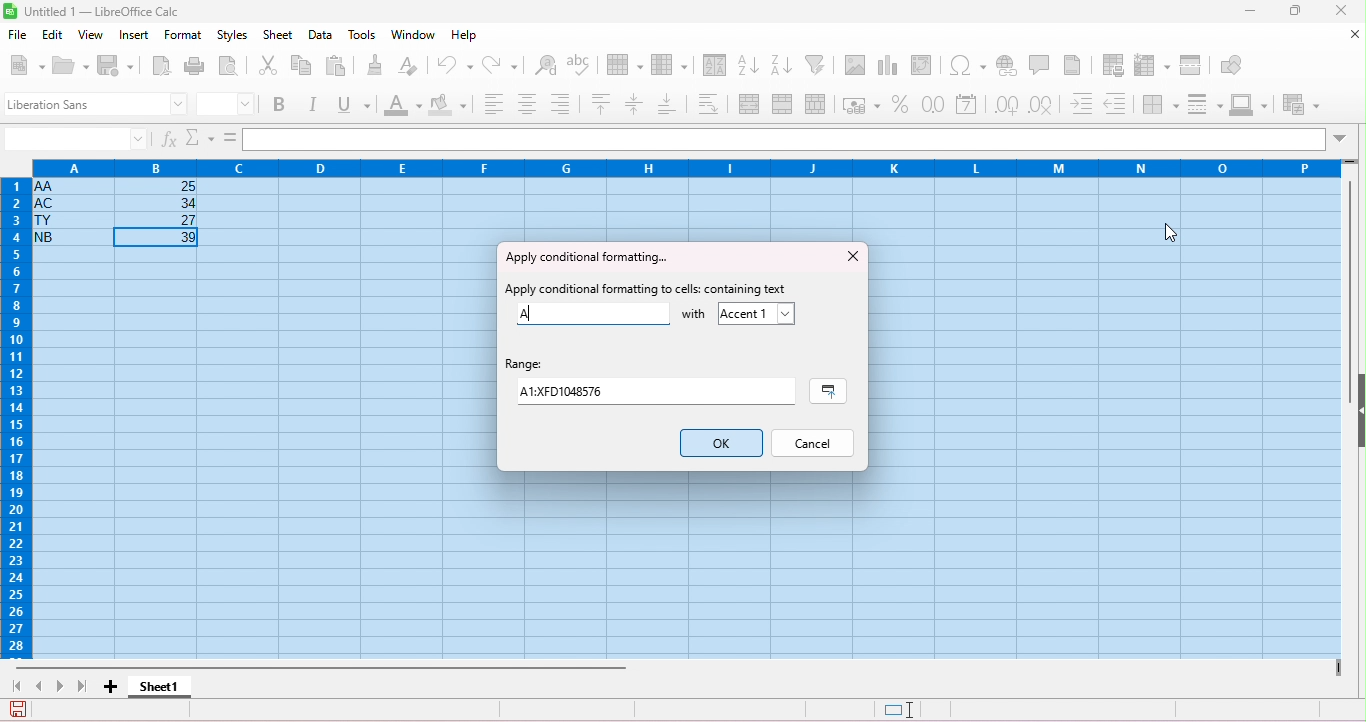 This screenshot has height=722, width=1366. I want to click on insert special characters, so click(968, 66).